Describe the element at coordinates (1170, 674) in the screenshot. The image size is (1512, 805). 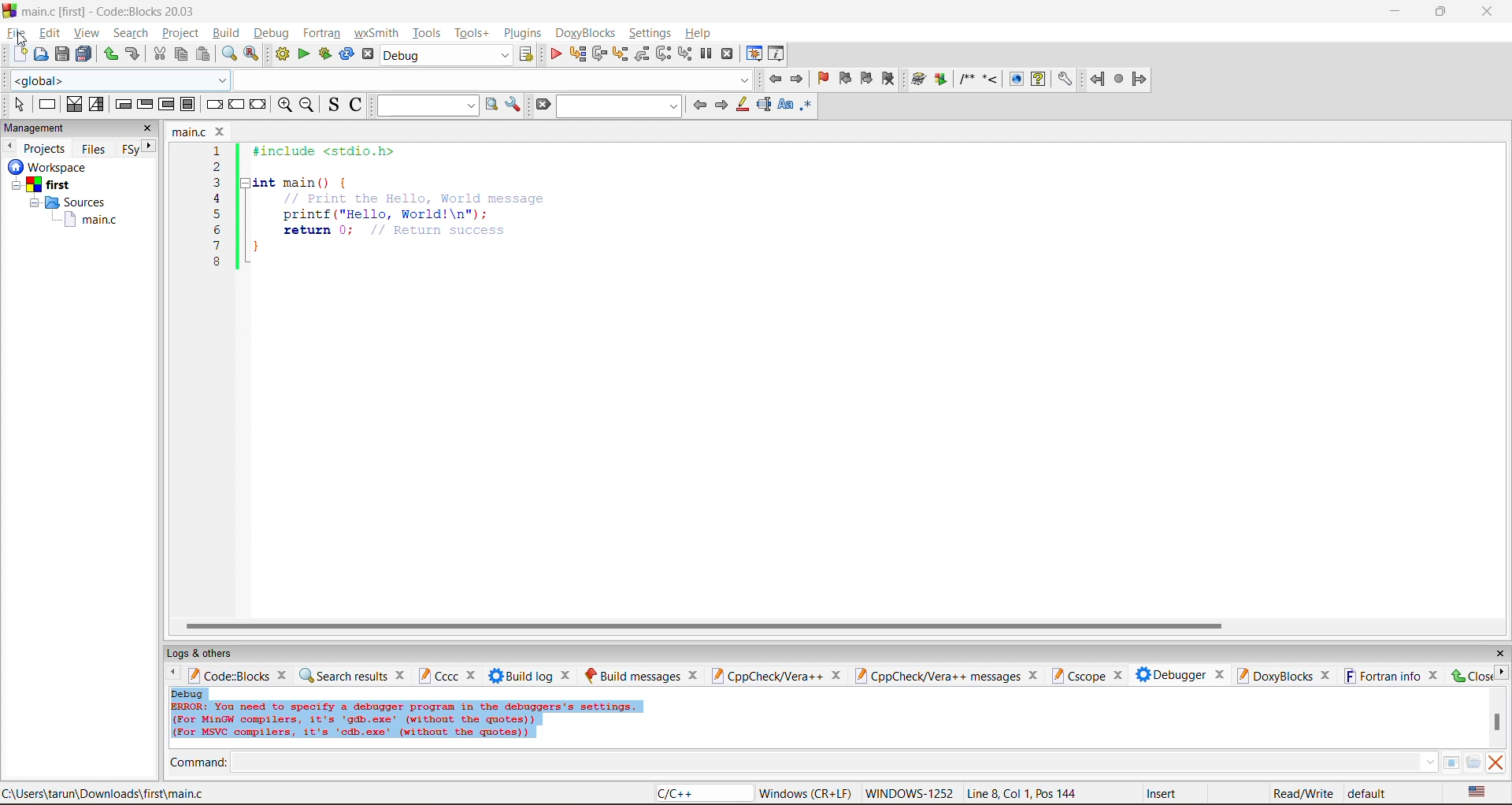
I see `debugger` at that location.